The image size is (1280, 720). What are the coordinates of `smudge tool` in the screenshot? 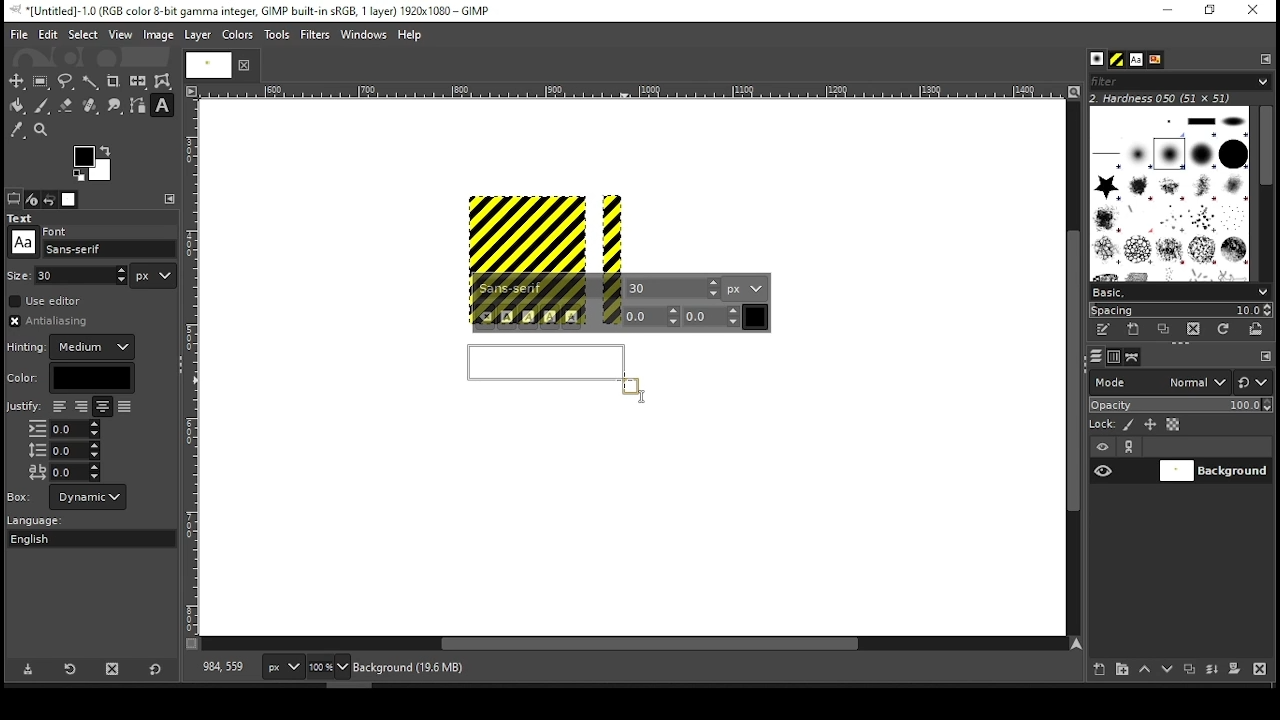 It's located at (116, 106).